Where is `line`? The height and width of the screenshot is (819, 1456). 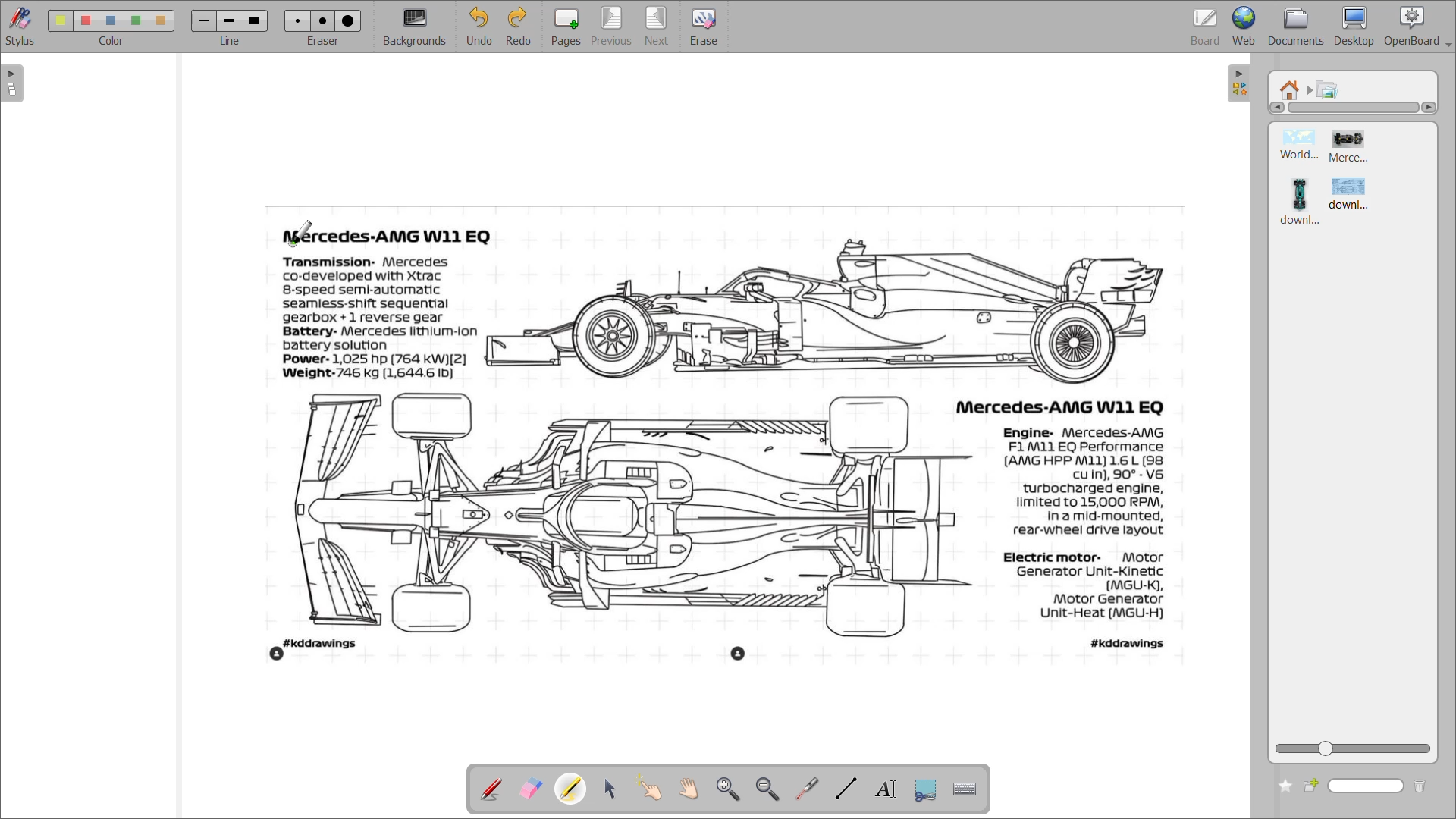 line is located at coordinates (230, 40).